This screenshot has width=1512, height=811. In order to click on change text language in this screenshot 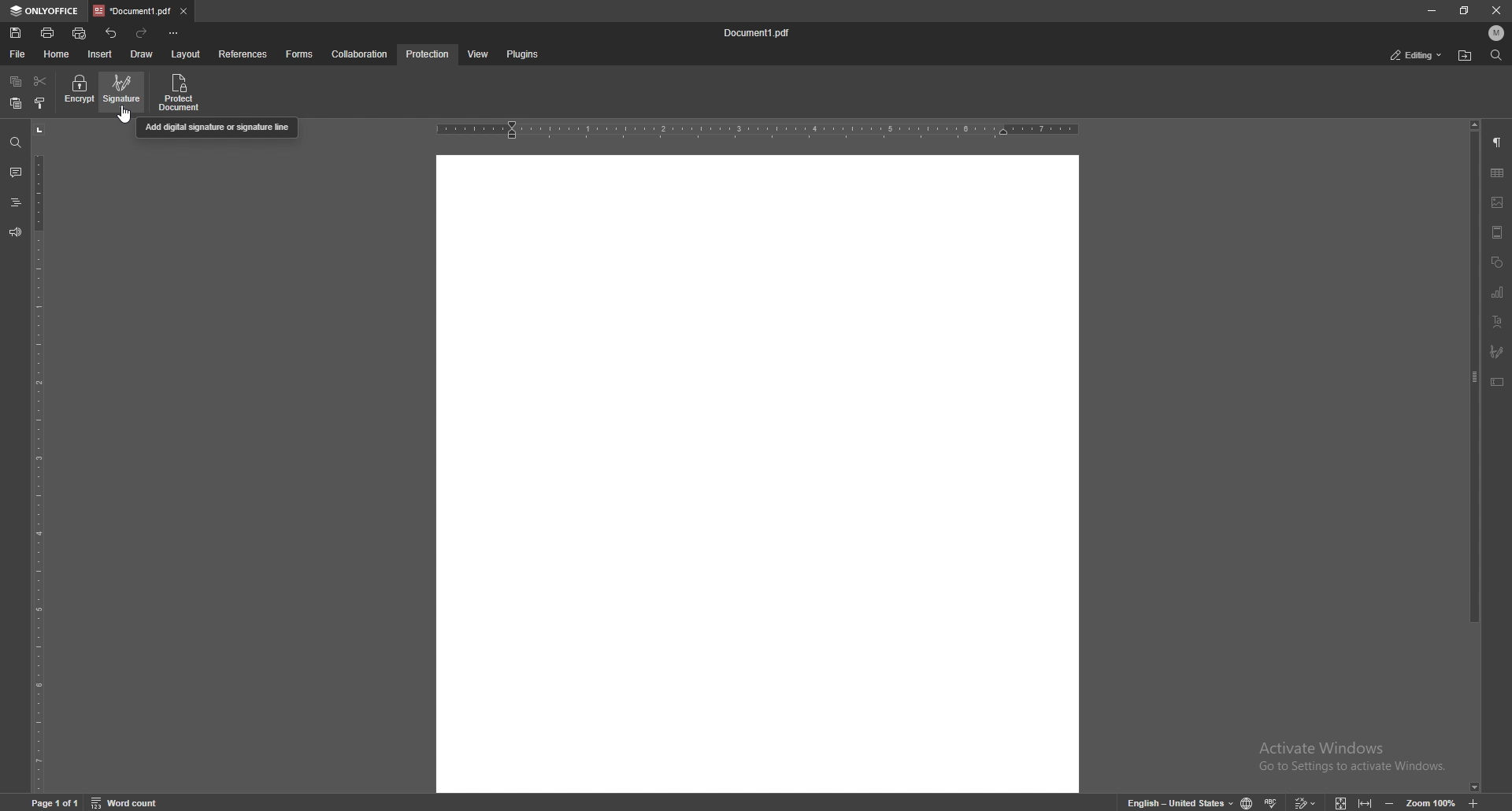, I will do `click(1171, 802)`.